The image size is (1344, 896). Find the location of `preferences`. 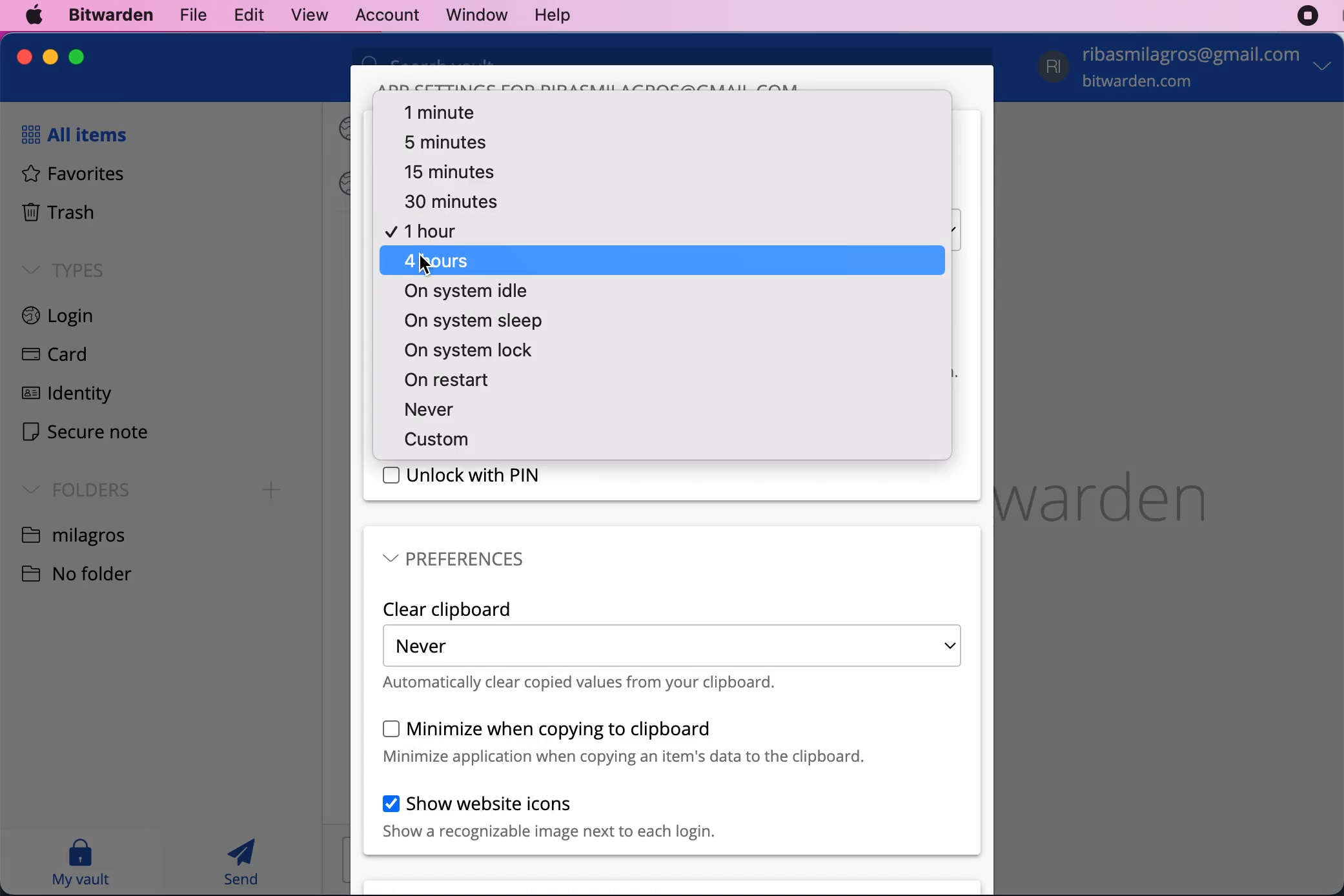

preferences is located at coordinates (455, 558).